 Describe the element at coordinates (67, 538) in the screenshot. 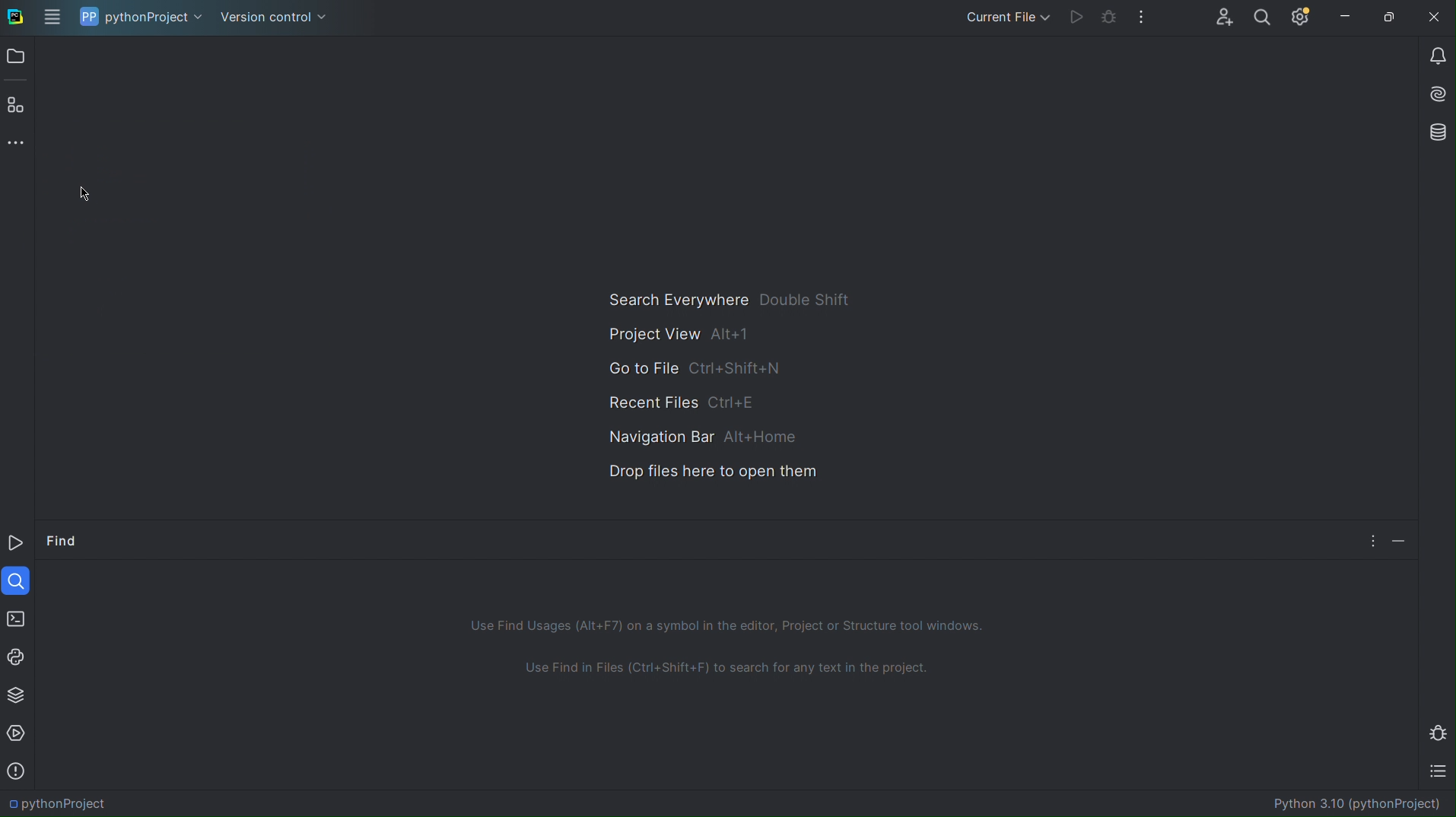

I see `Find` at that location.